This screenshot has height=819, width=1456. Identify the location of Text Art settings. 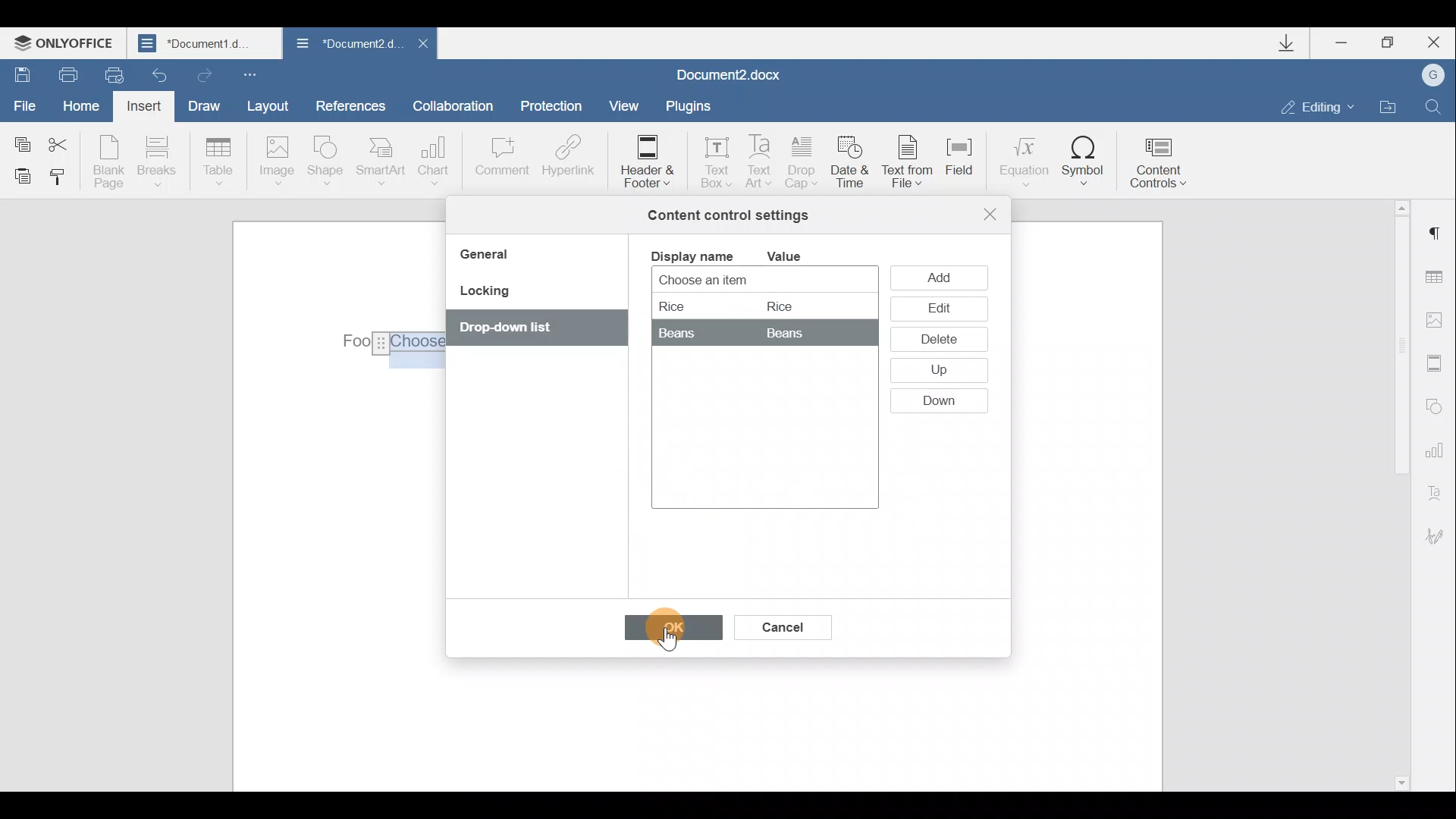
(1439, 490).